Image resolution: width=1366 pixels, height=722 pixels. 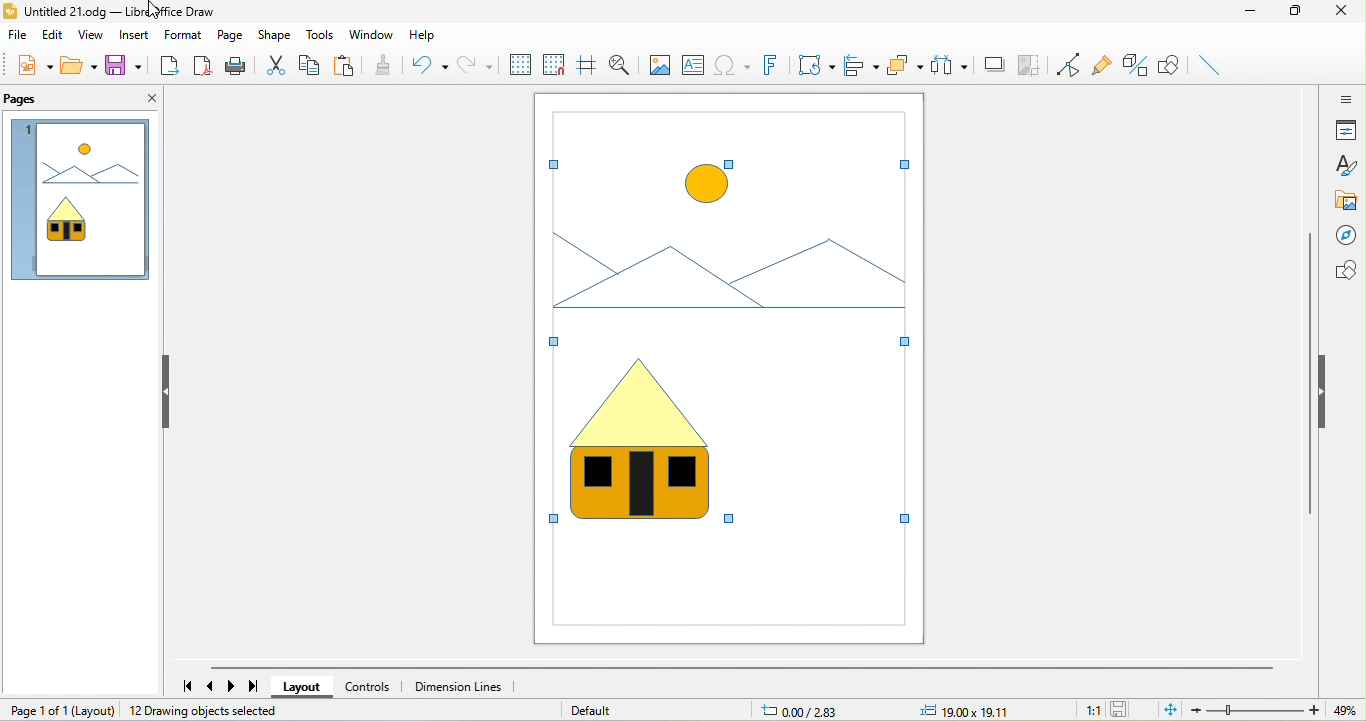 What do you see at coordinates (237, 64) in the screenshot?
I see `print` at bounding box center [237, 64].